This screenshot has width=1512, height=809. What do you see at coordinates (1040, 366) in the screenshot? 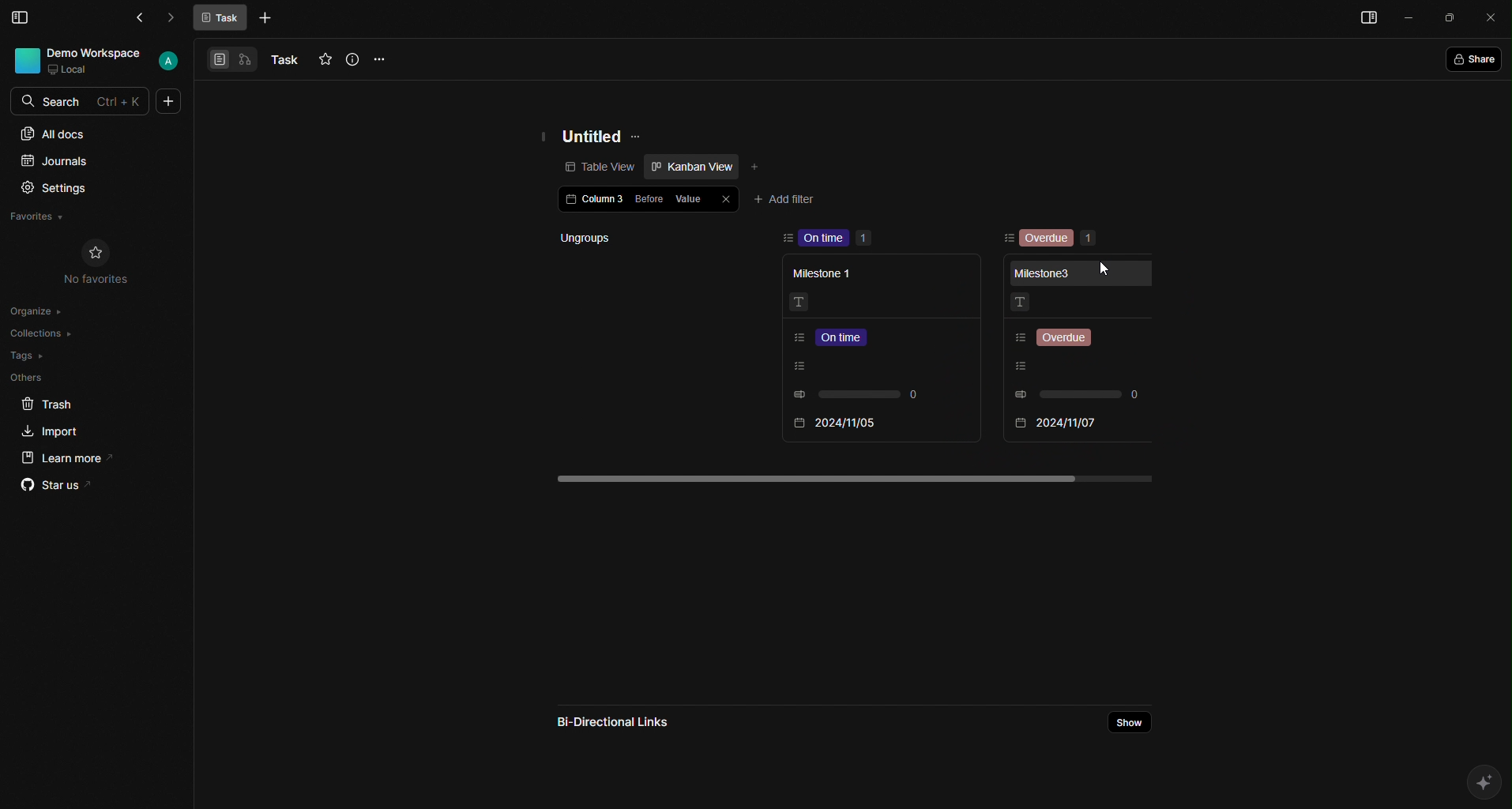
I see `Listing` at bounding box center [1040, 366].